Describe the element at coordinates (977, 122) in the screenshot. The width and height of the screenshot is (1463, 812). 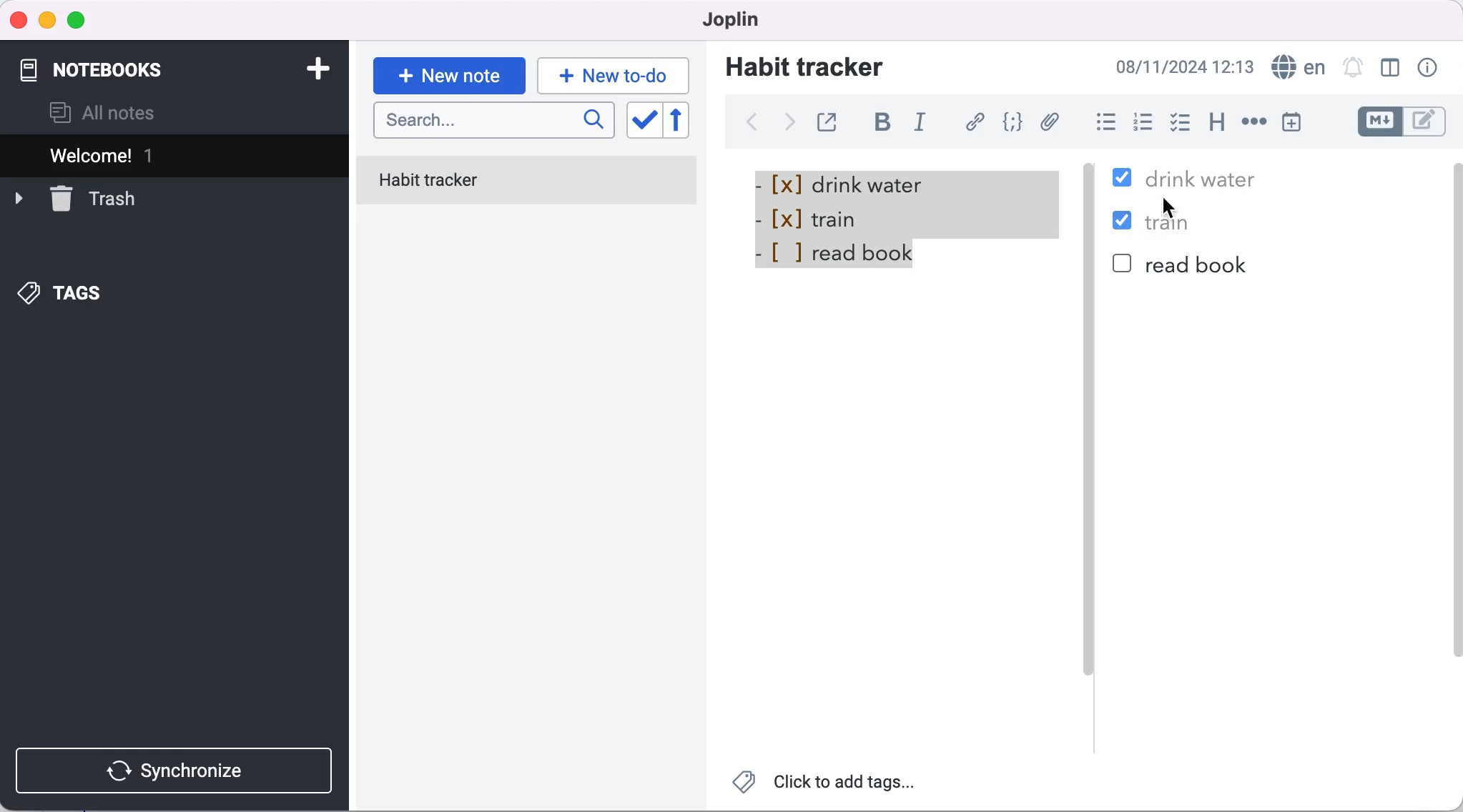
I see `hyperlink` at that location.